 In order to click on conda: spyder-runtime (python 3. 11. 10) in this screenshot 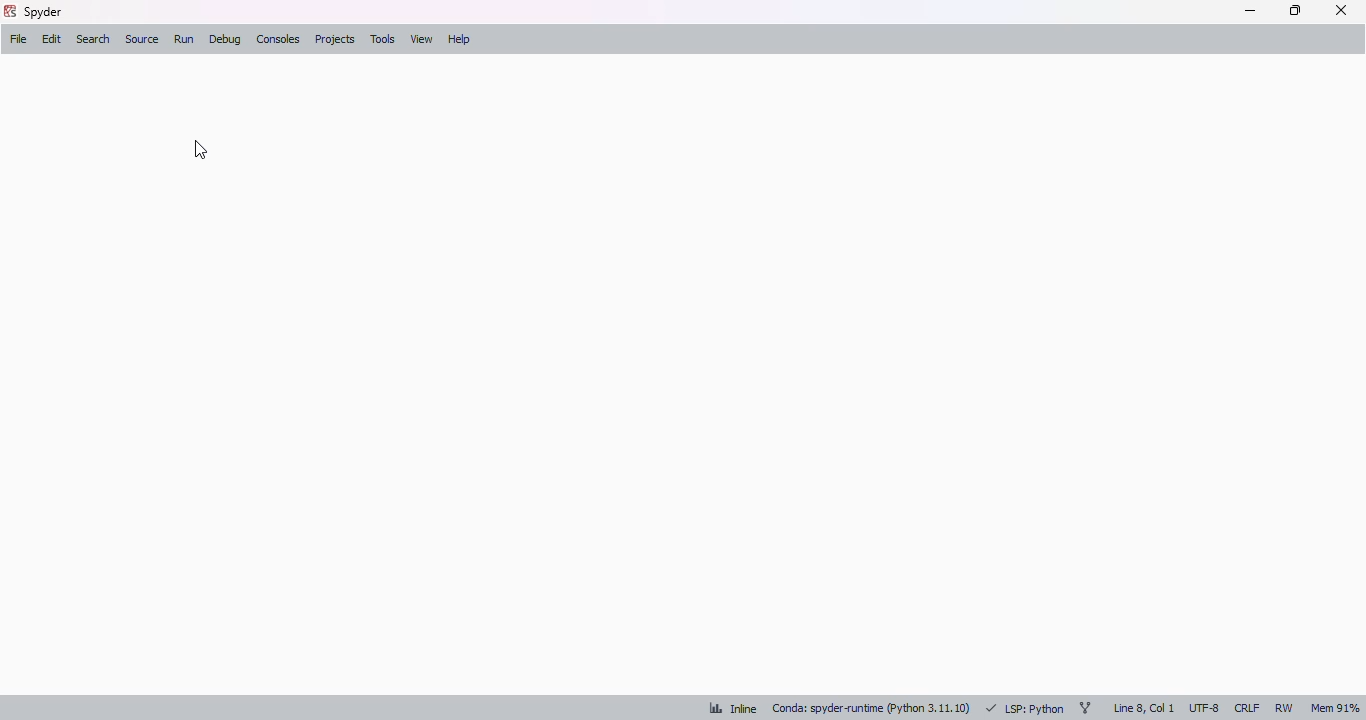, I will do `click(871, 709)`.